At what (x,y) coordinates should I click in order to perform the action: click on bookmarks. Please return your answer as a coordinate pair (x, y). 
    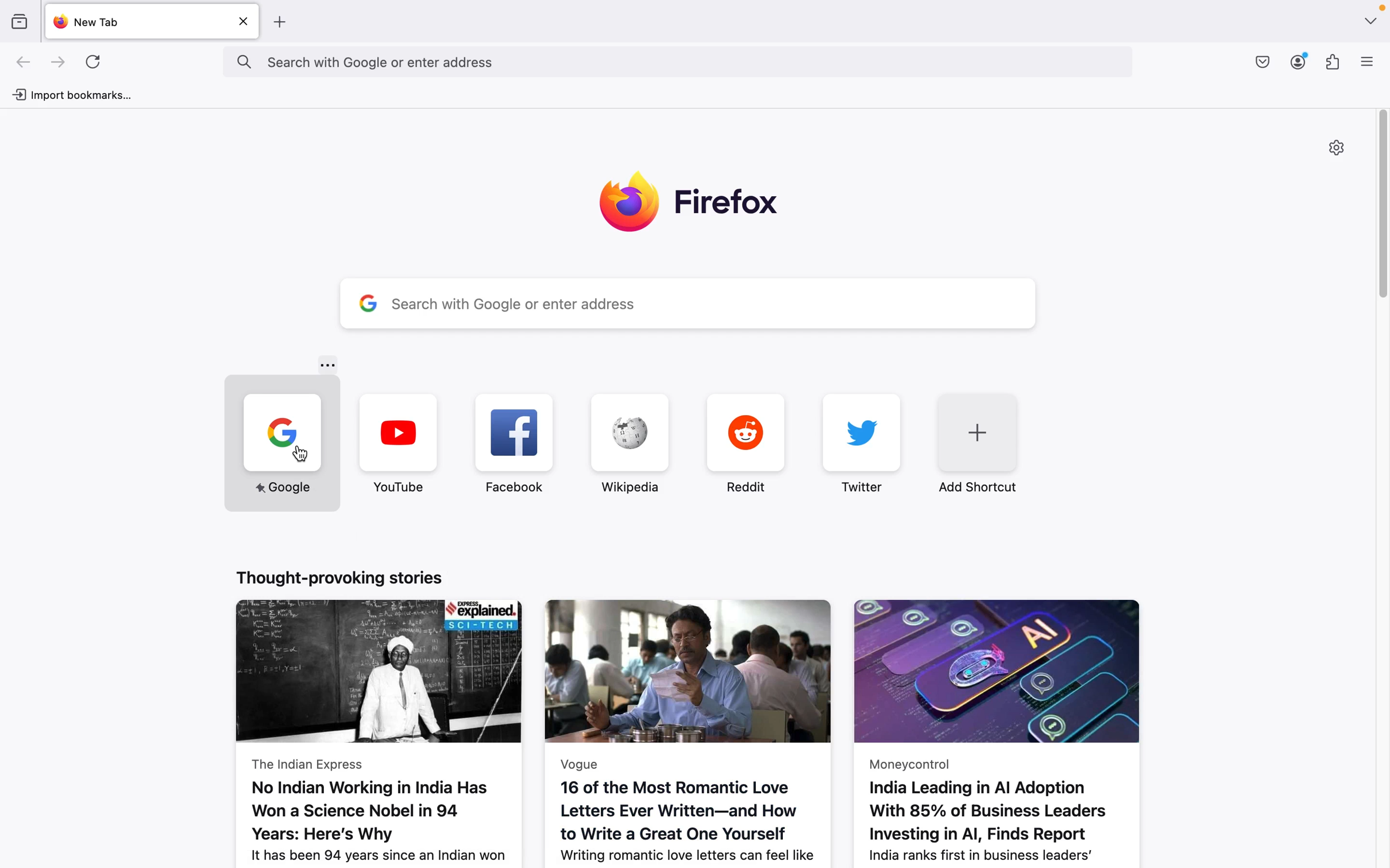
    Looking at the image, I should click on (22, 21).